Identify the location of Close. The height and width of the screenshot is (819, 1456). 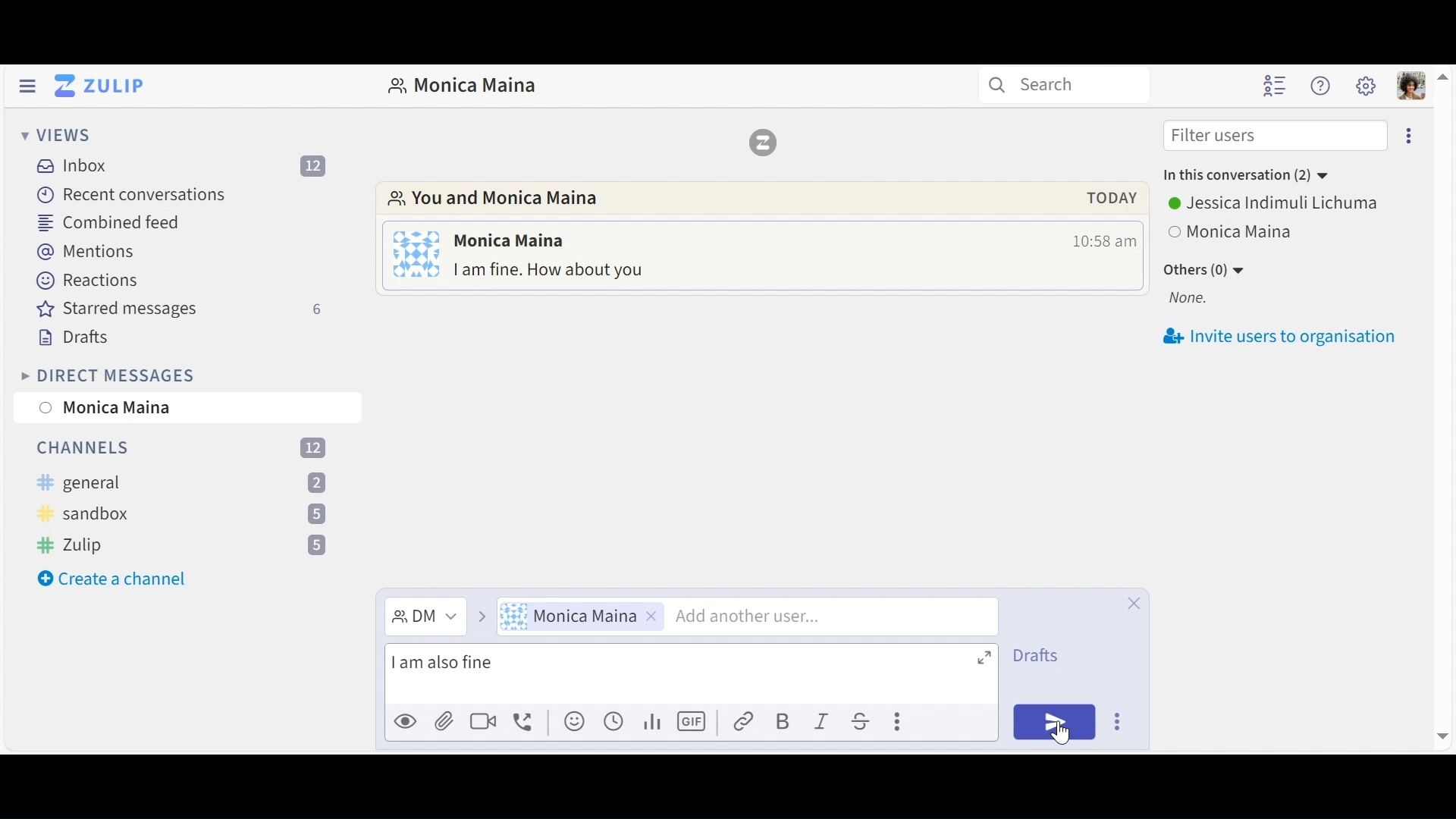
(1134, 604).